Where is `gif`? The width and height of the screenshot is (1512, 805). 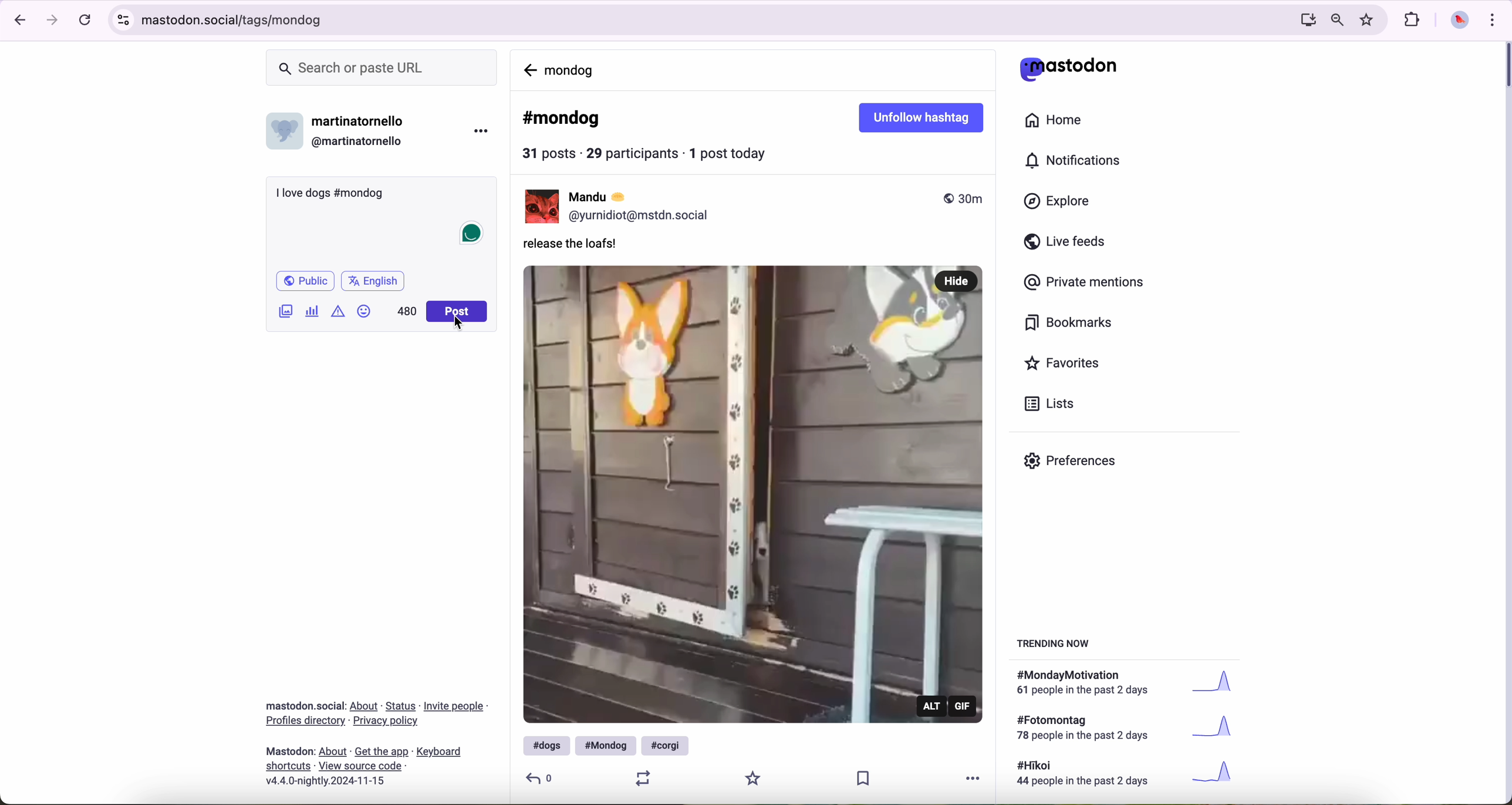 gif is located at coordinates (964, 706).